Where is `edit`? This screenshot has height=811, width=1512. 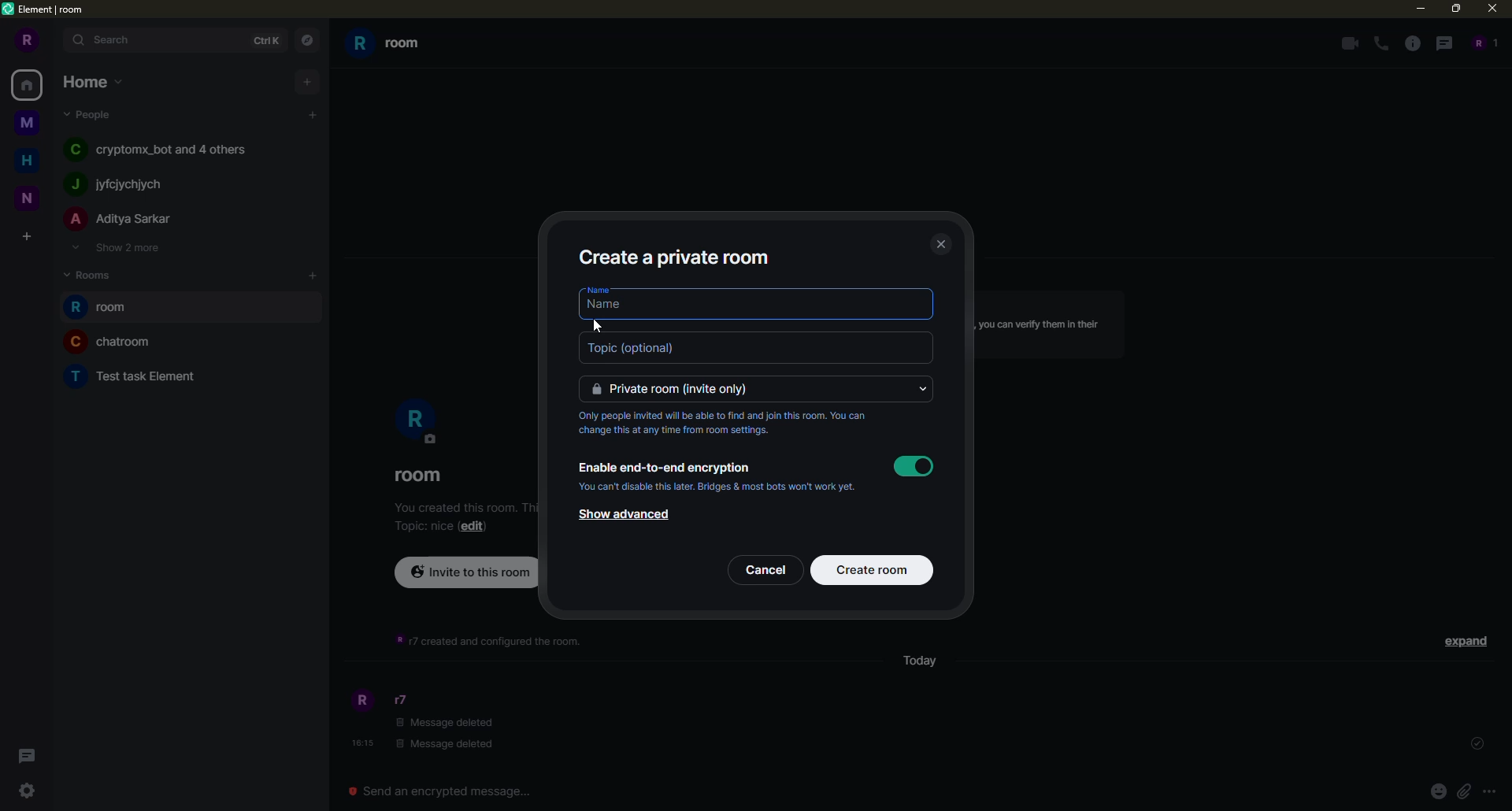 edit is located at coordinates (473, 525).